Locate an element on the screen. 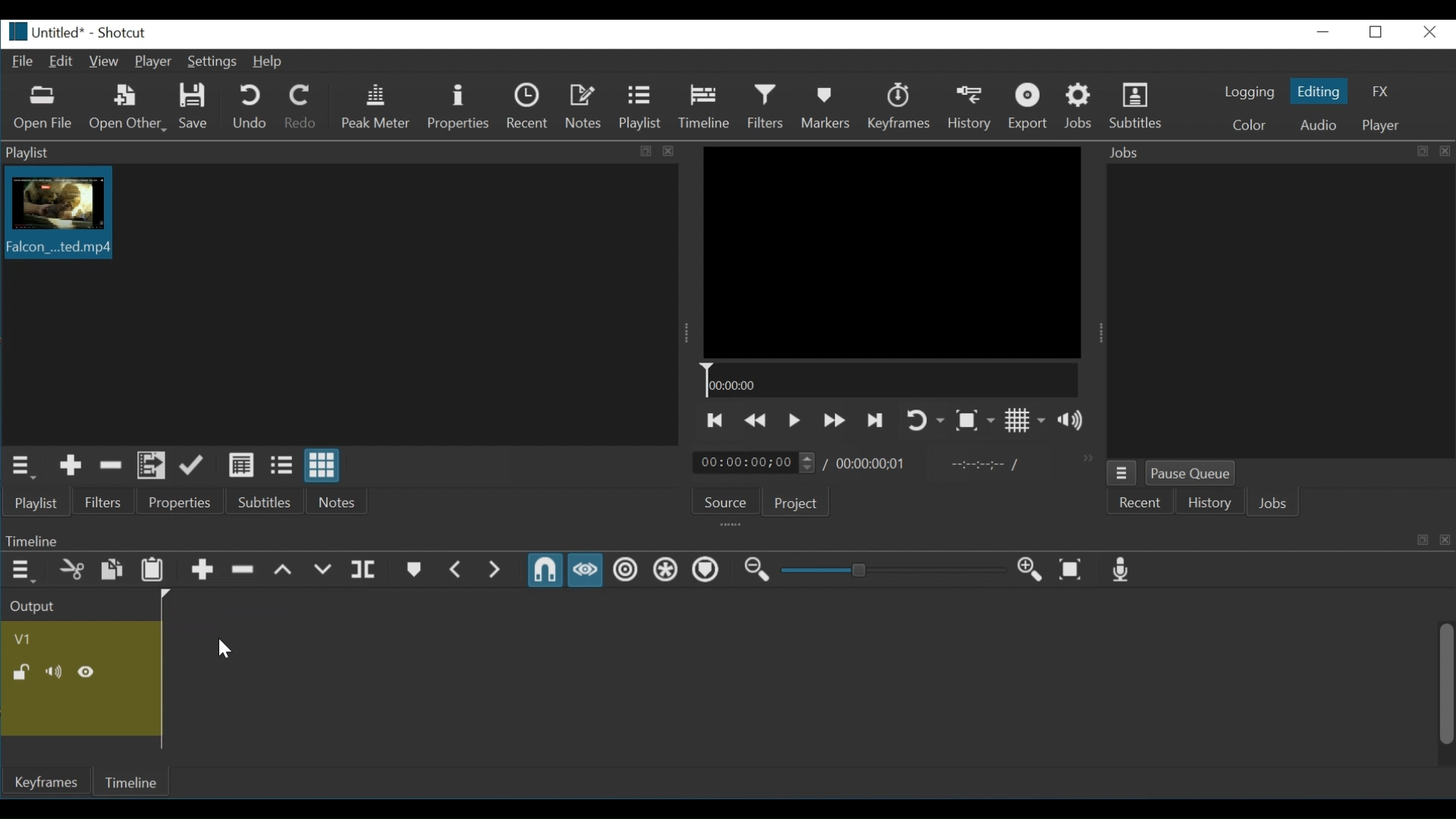 This screenshot has height=819, width=1456. Player is located at coordinates (153, 62).